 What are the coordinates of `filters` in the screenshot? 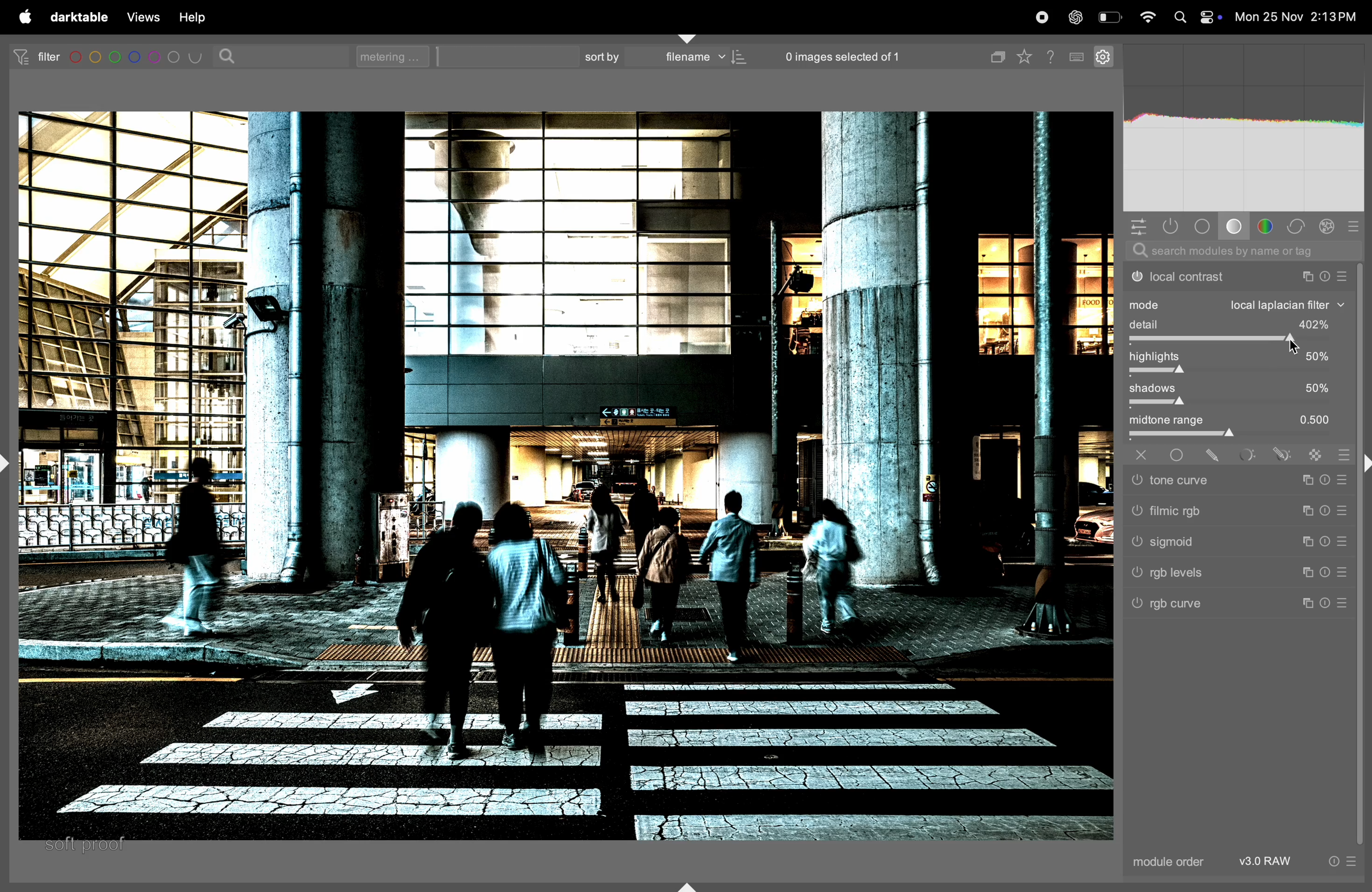 It's located at (138, 58).